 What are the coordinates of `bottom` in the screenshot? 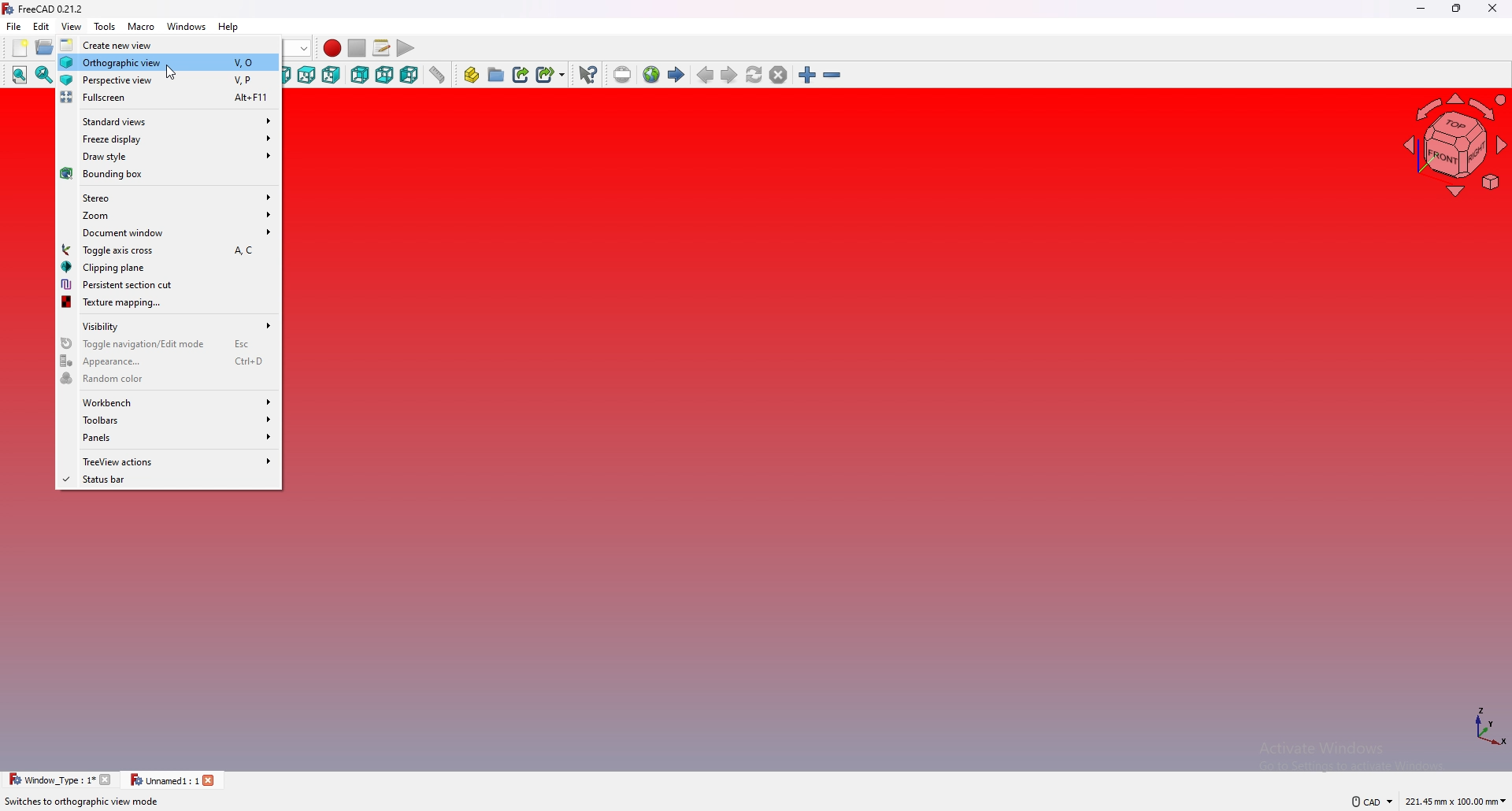 It's located at (385, 74).